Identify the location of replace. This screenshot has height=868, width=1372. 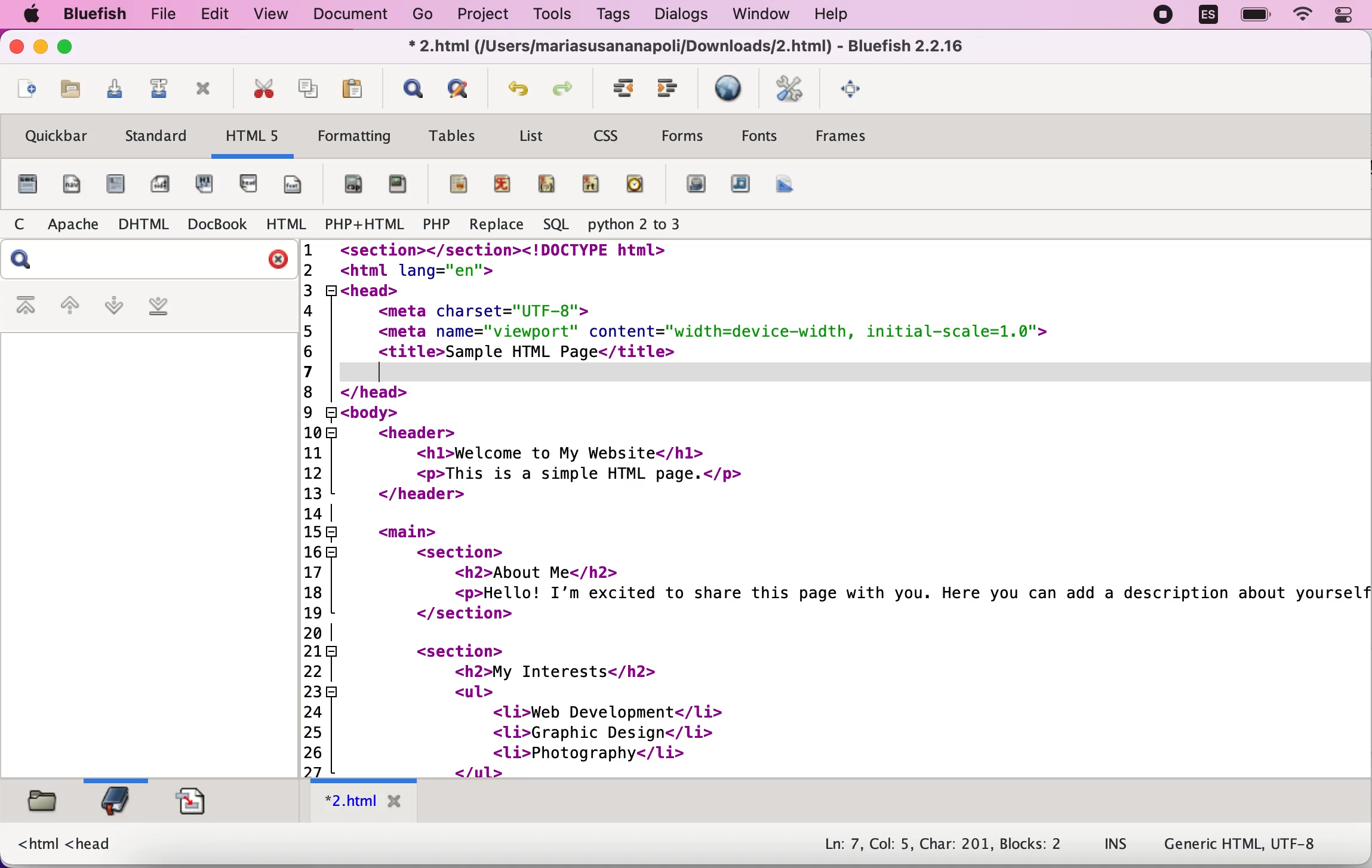
(494, 226).